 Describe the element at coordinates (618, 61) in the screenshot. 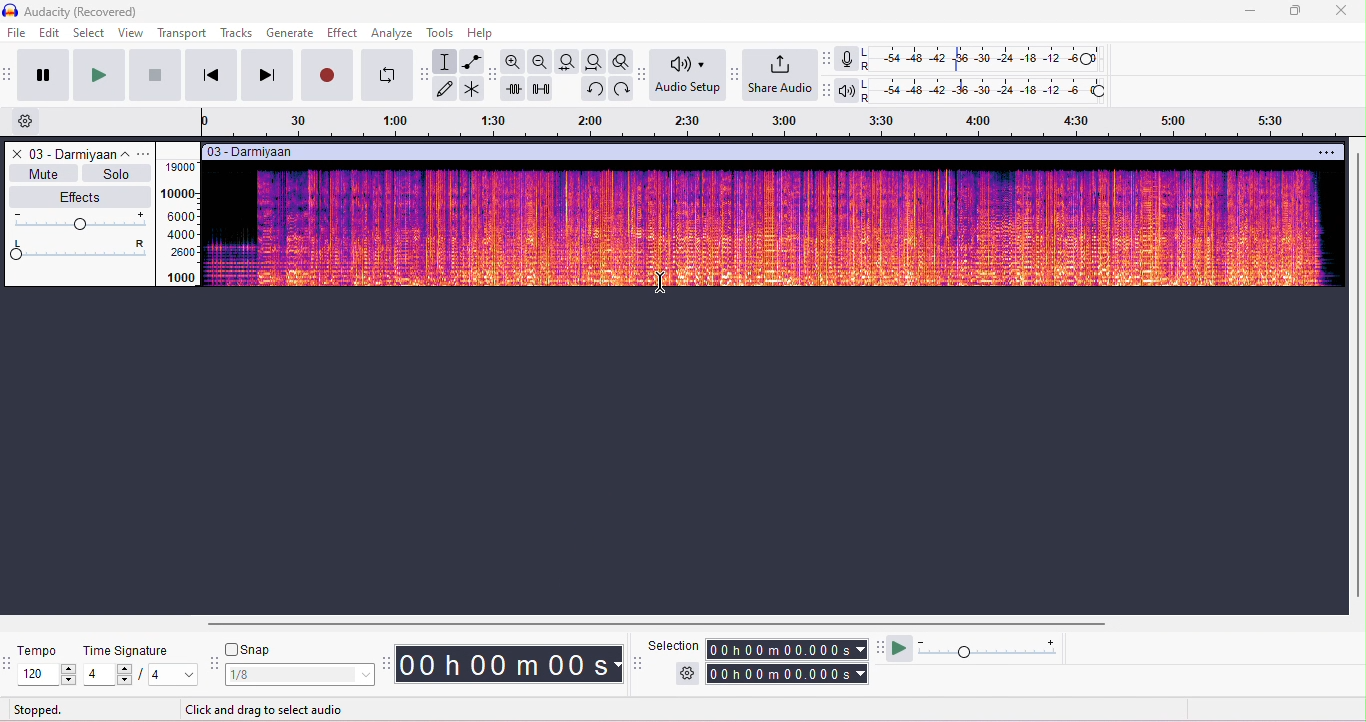

I see `zoom toggle` at that location.